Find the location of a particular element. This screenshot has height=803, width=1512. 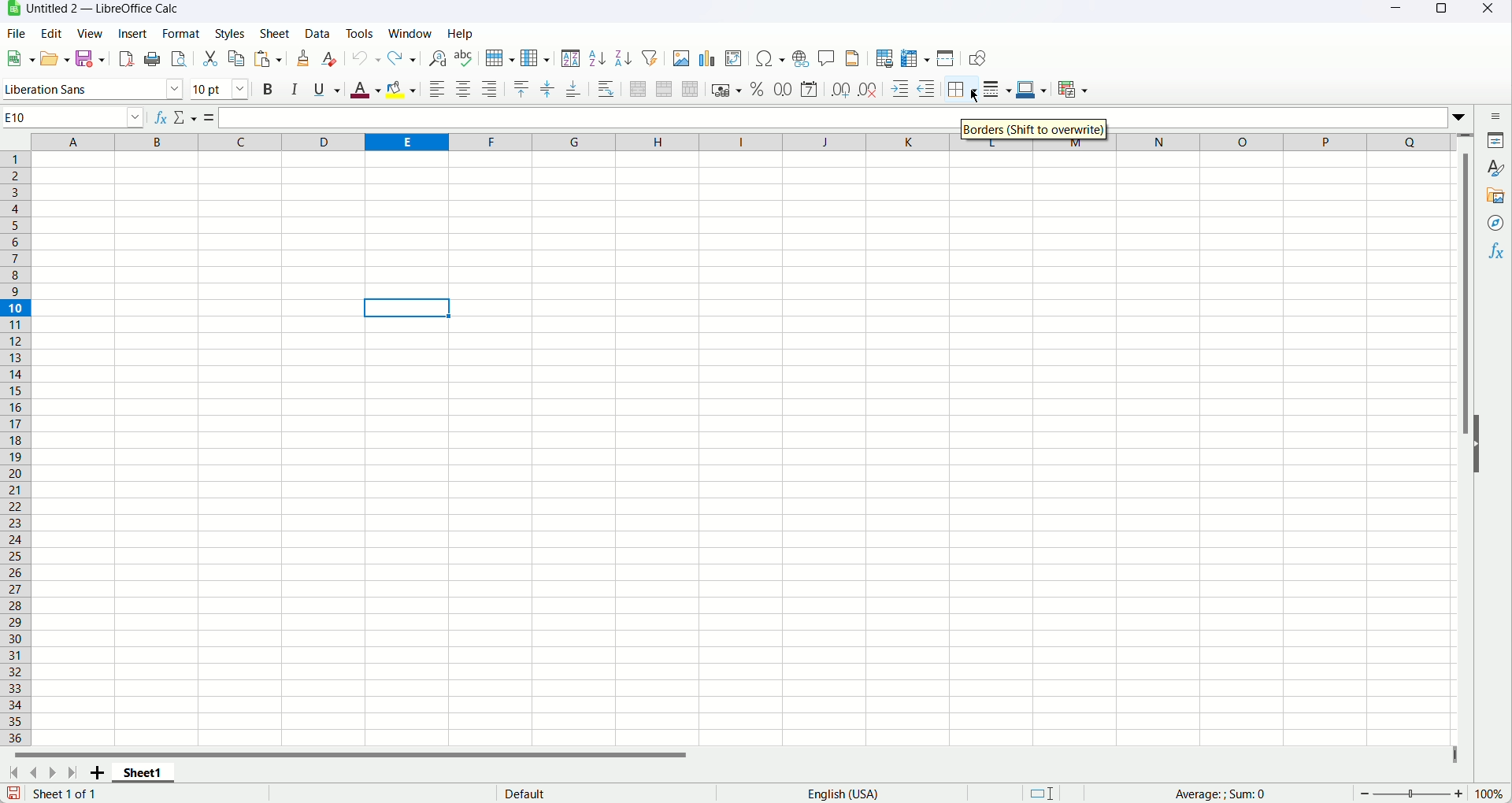

Border color is located at coordinates (1032, 91).